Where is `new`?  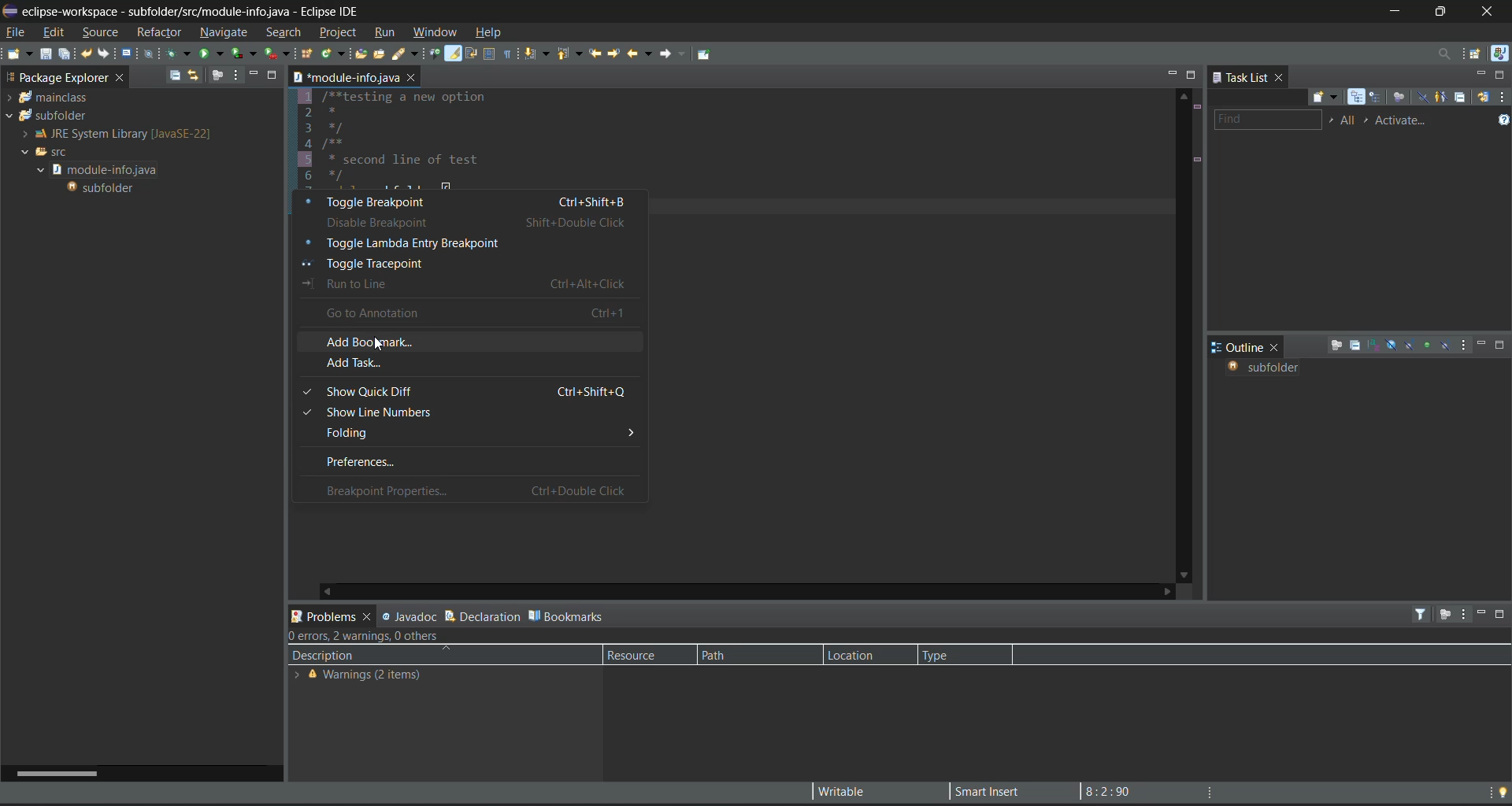 new is located at coordinates (18, 54).